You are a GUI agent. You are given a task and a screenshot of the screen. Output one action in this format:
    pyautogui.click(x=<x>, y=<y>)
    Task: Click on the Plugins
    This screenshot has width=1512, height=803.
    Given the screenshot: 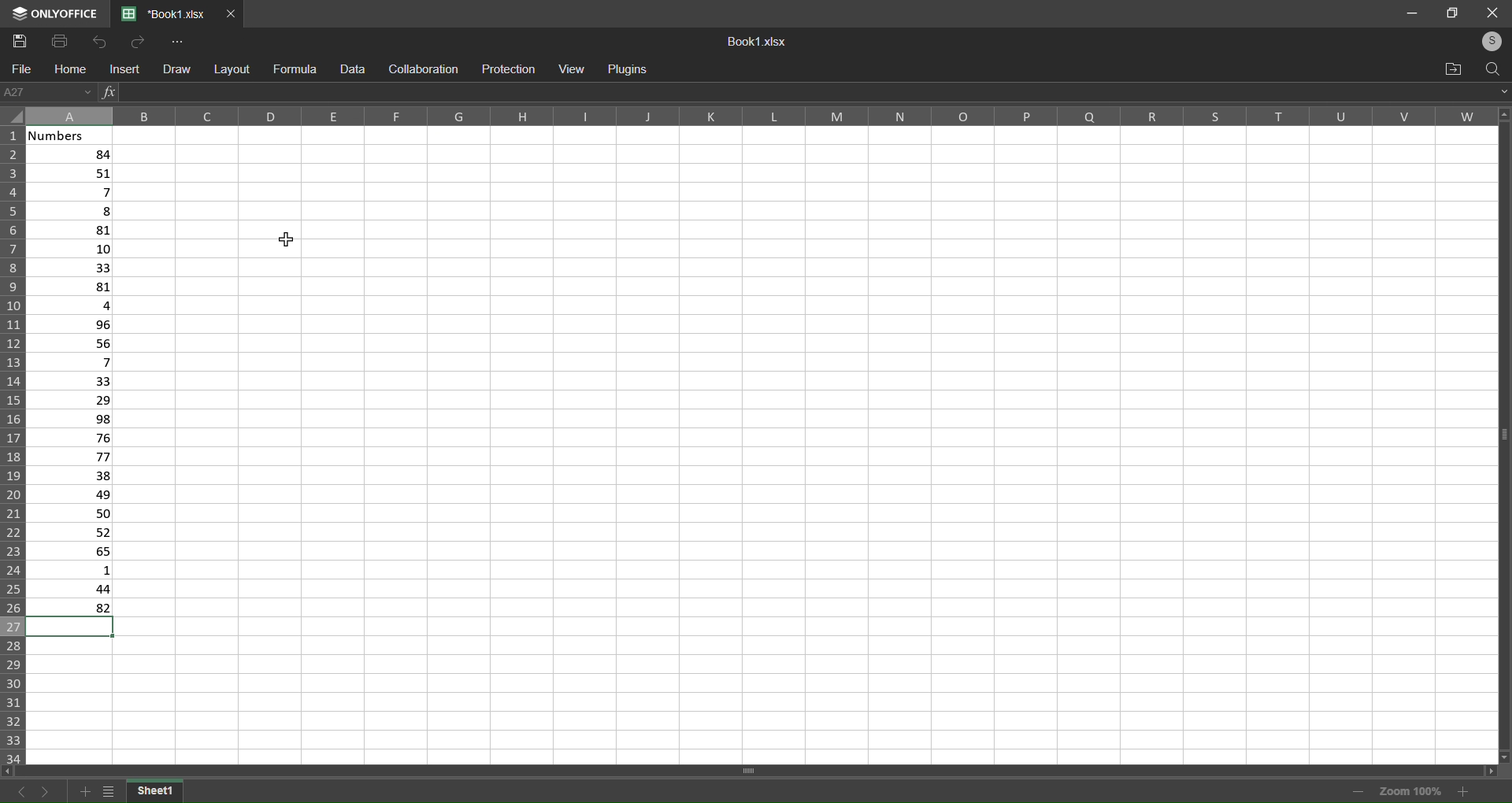 What is the action you would take?
    pyautogui.click(x=633, y=70)
    